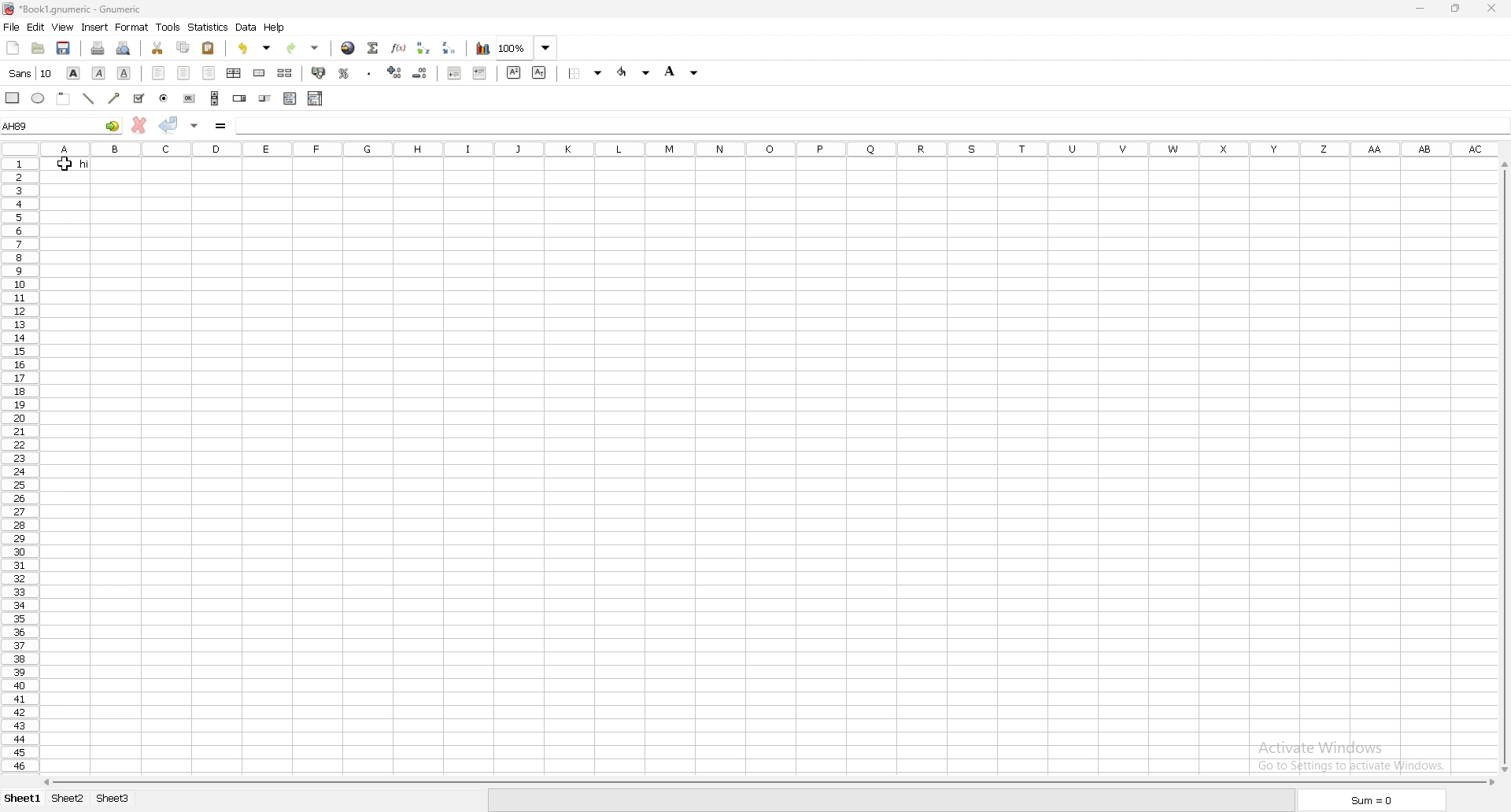 The image size is (1511, 812). I want to click on resize, so click(1457, 9).